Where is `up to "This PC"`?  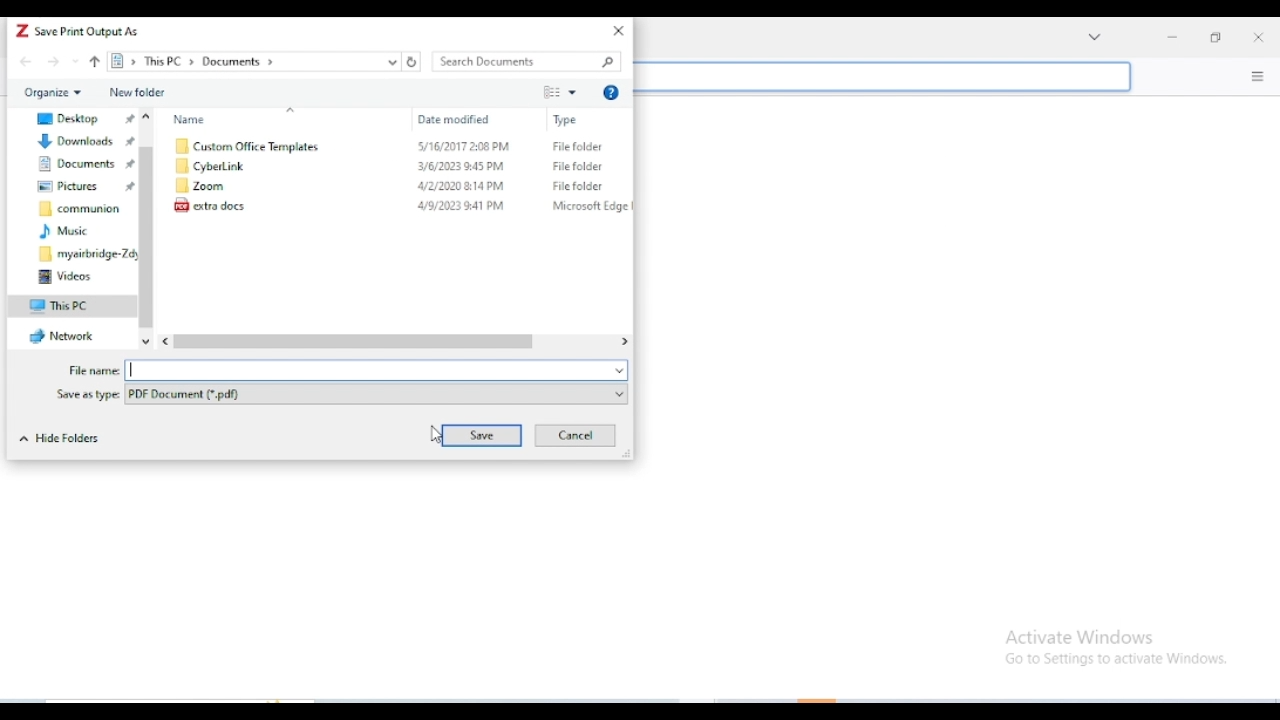
up to "This PC" is located at coordinates (95, 62).